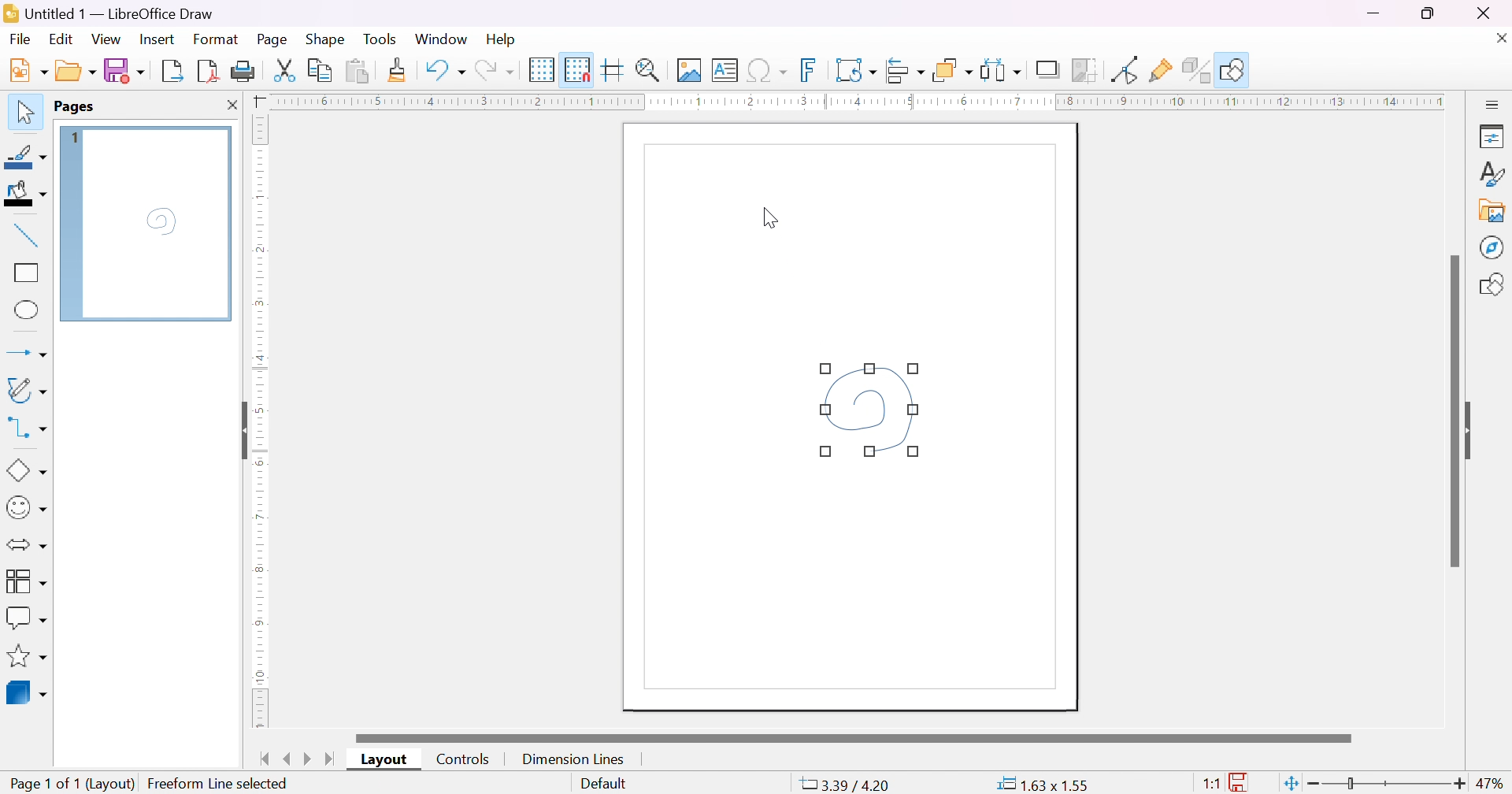 Image resolution: width=1512 pixels, height=794 pixels. I want to click on cut, so click(287, 70).